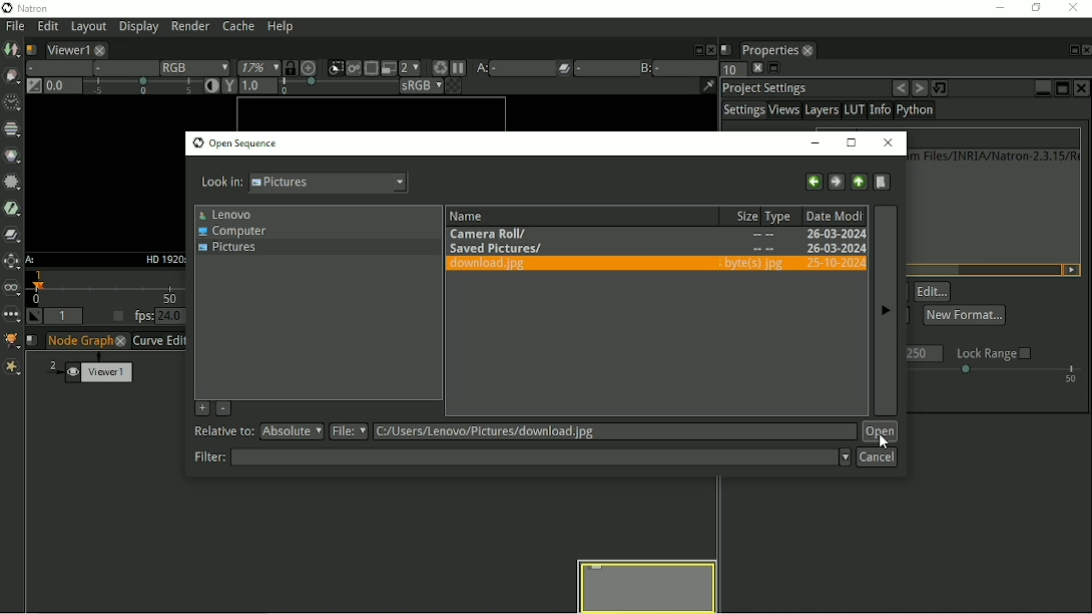 This screenshot has height=614, width=1092. I want to click on fps, so click(160, 316).